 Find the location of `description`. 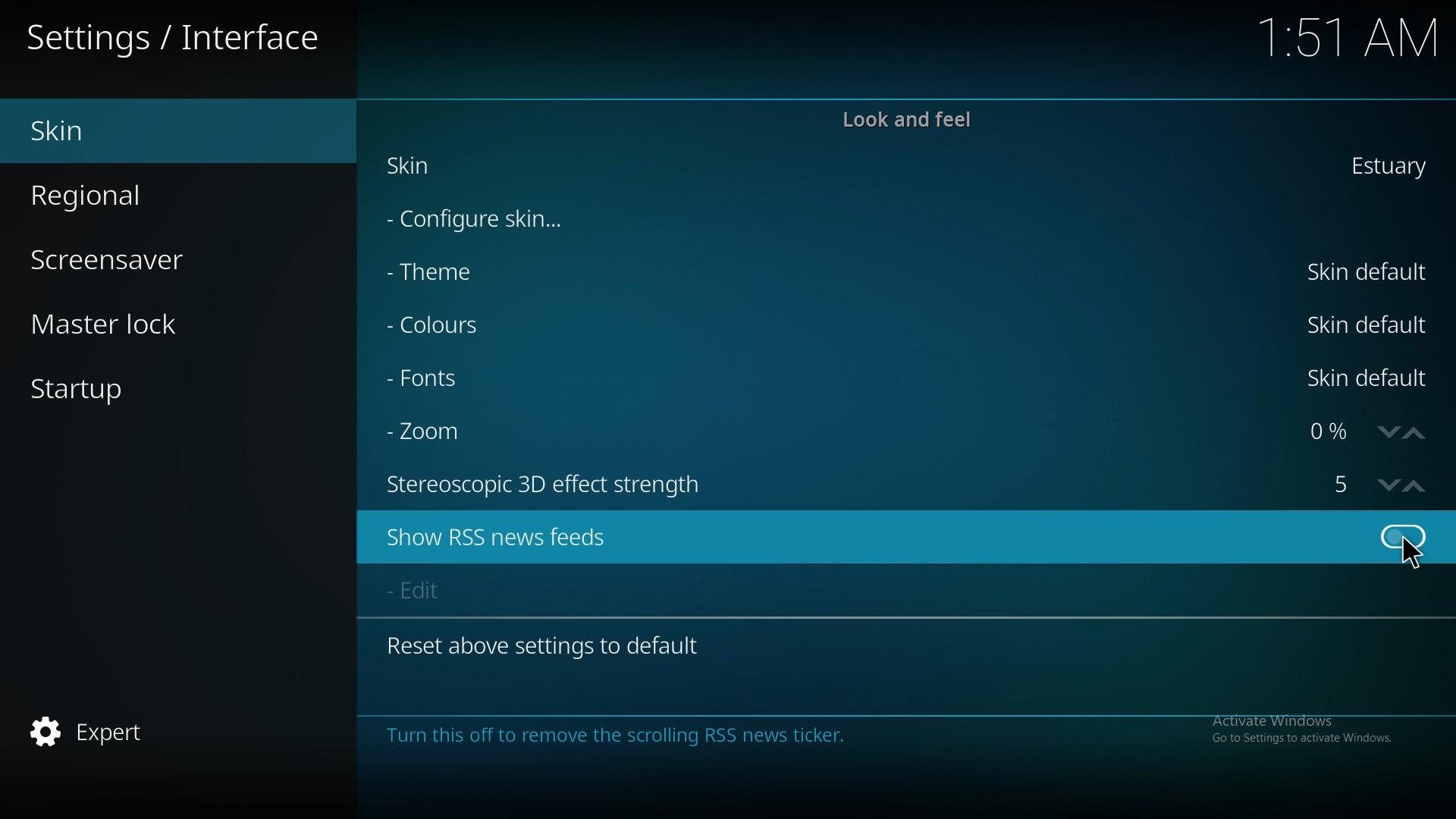

description is located at coordinates (628, 733).